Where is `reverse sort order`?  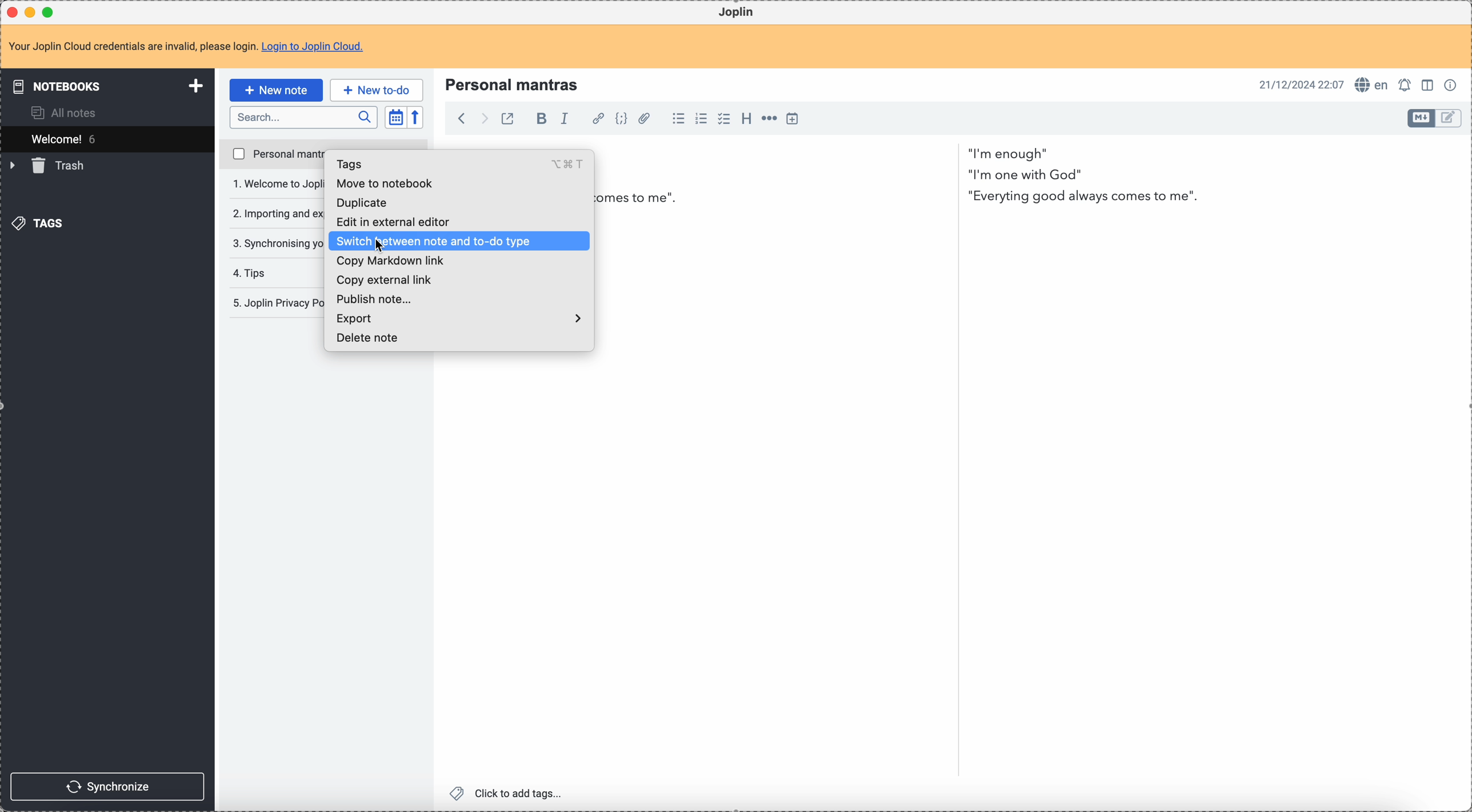
reverse sort order is located at coordinates (415, 118).